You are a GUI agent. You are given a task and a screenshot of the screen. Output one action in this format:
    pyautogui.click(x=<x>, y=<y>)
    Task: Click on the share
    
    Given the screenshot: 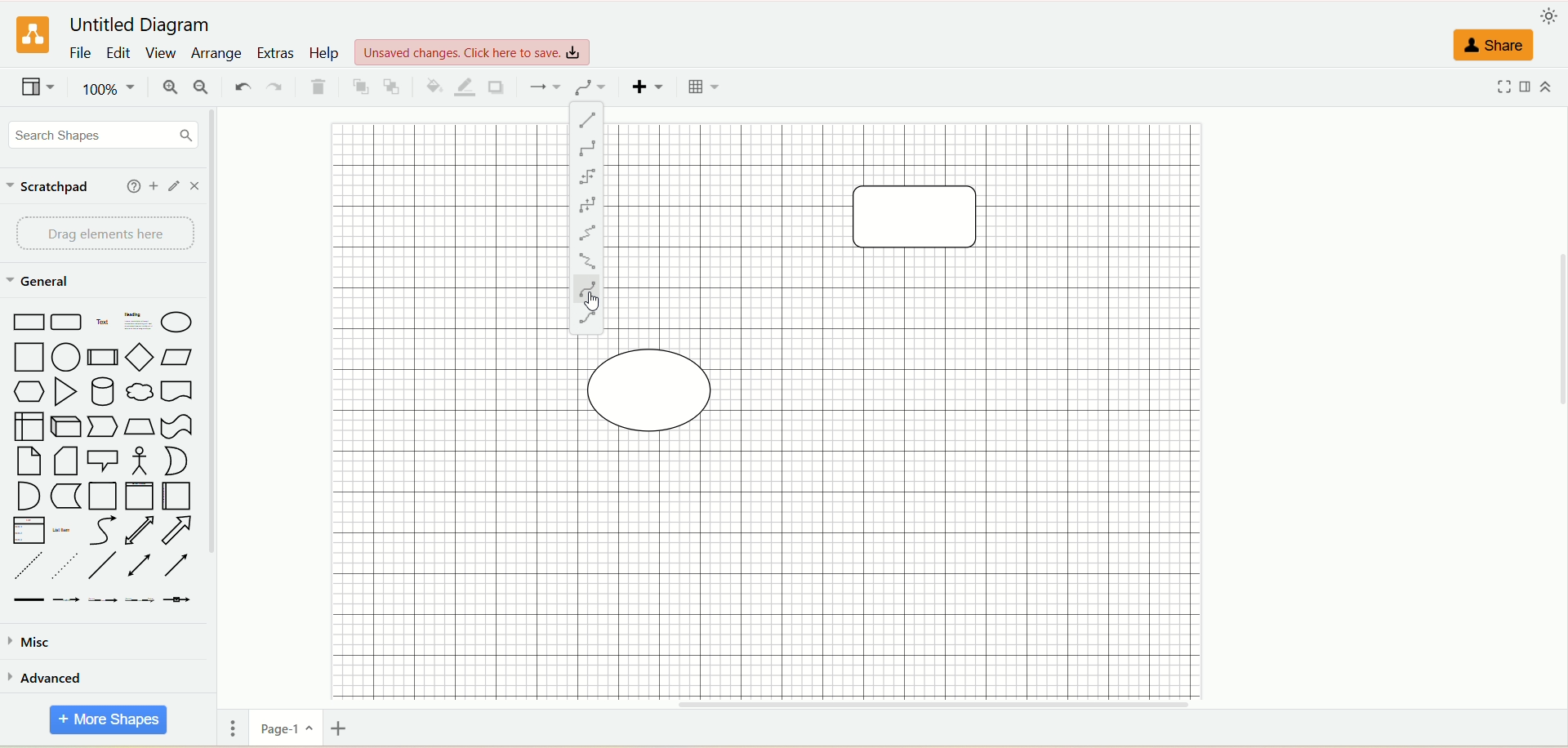 What is the action you would take?
    pyautogui.click(x=1495, y=42)
    